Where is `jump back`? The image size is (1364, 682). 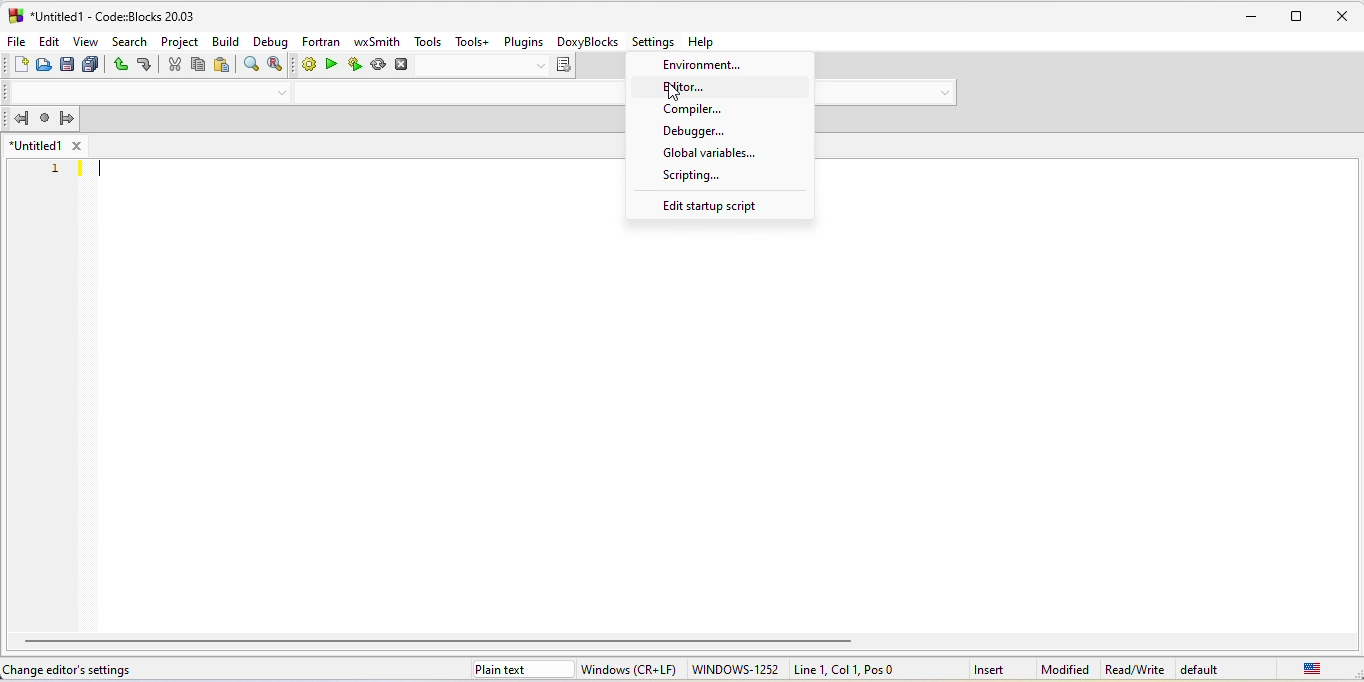 jump back is located at coordinates (20, 118).